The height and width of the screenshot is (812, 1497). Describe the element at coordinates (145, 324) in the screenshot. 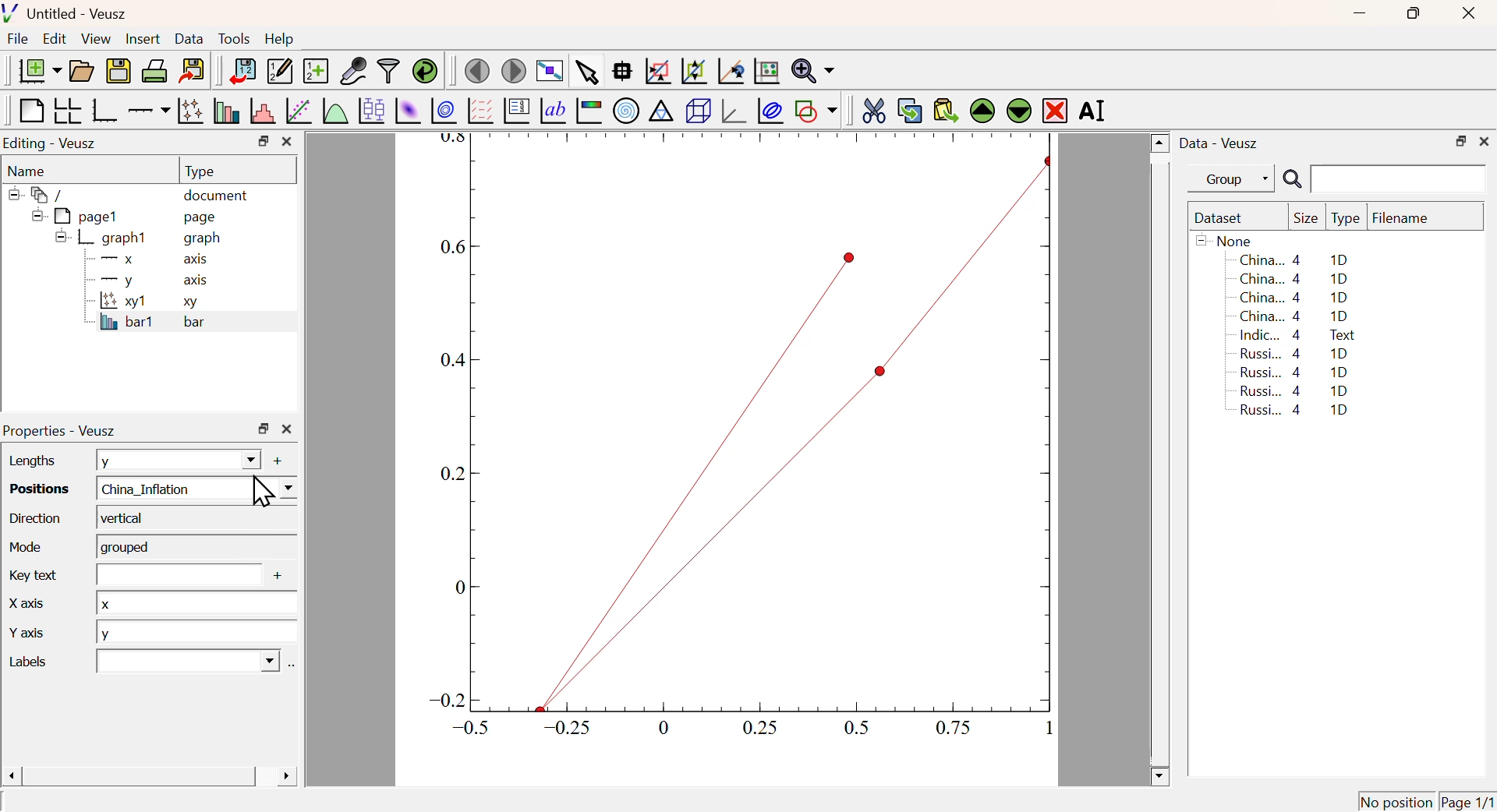

I see `bar1 bar` at that location.